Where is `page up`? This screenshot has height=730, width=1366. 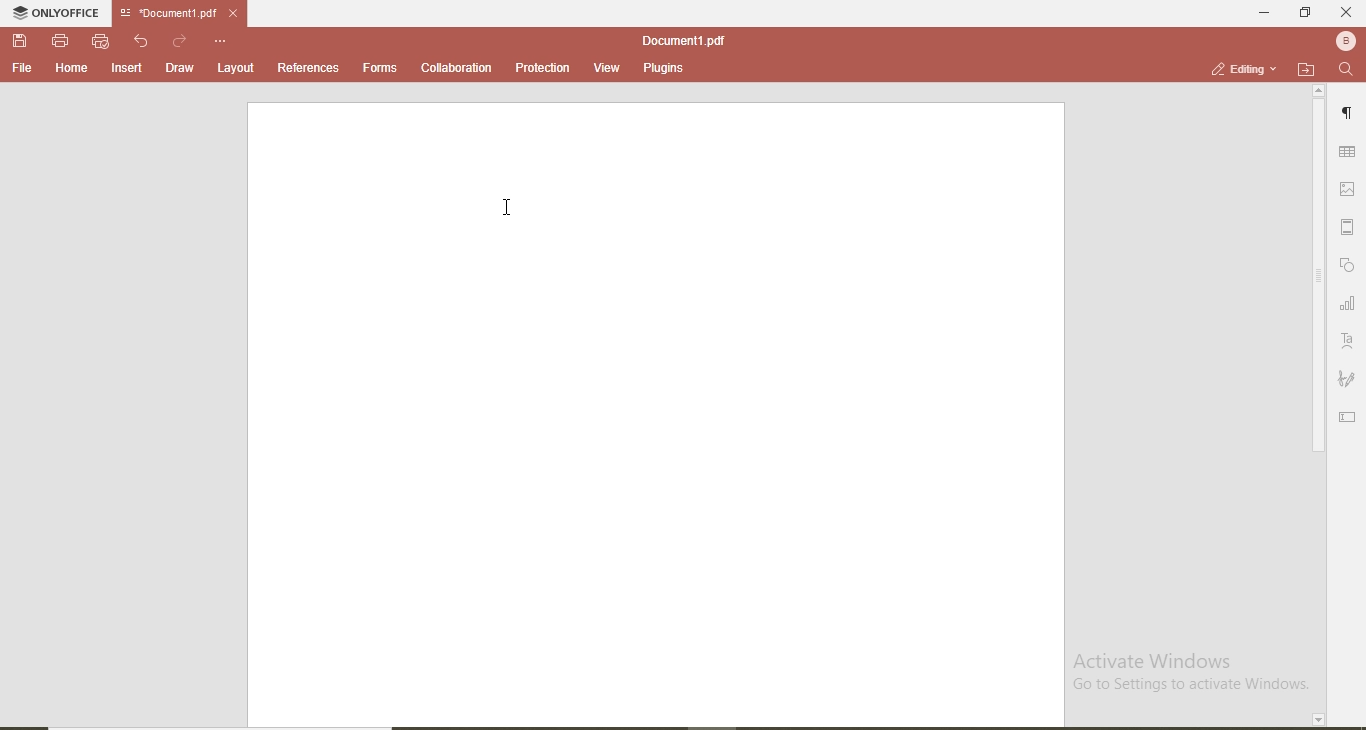 page up is located at coordinates (1318, 90).